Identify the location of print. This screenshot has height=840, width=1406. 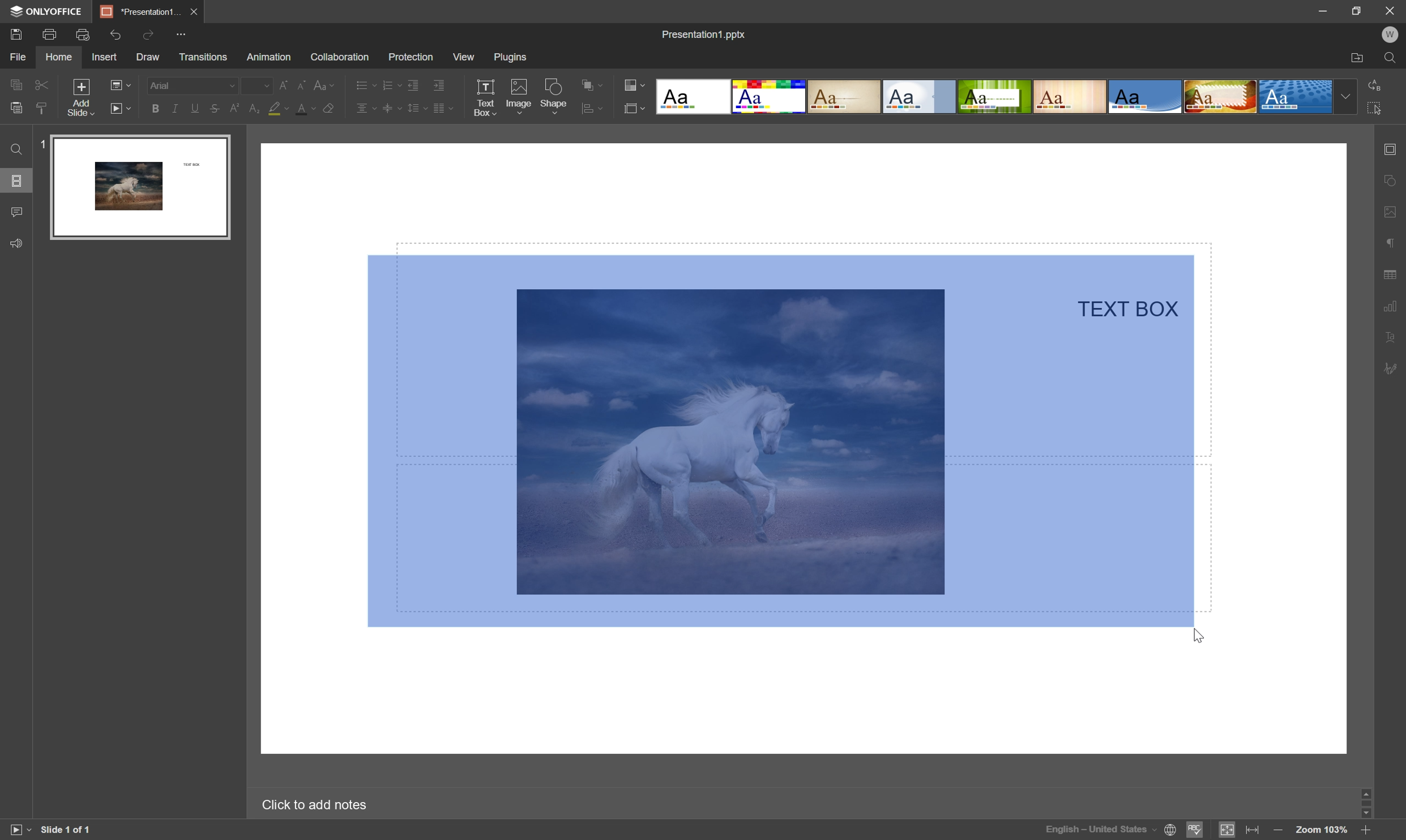
(50, 33).